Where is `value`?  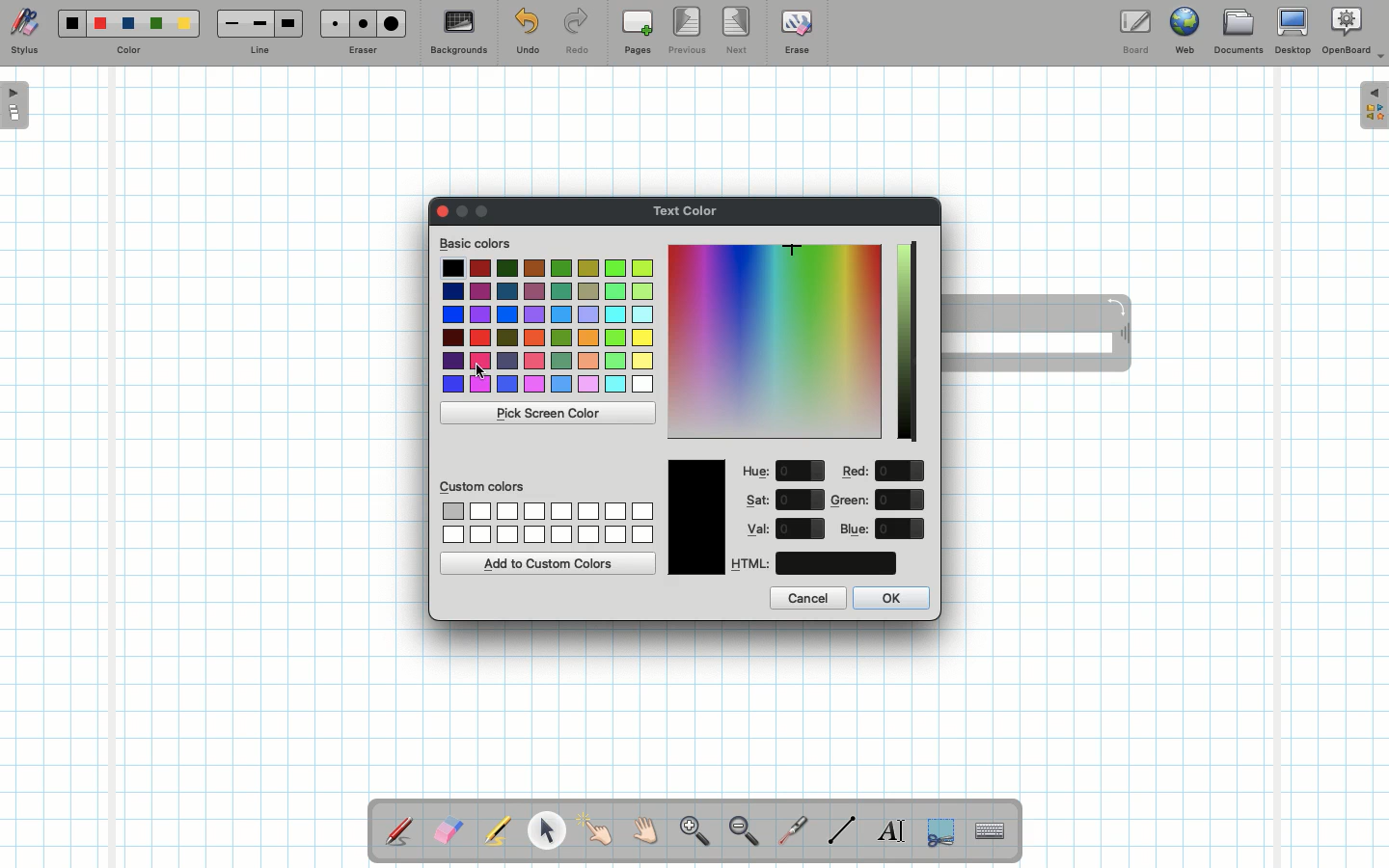
value is located at coordinates (901, 500).